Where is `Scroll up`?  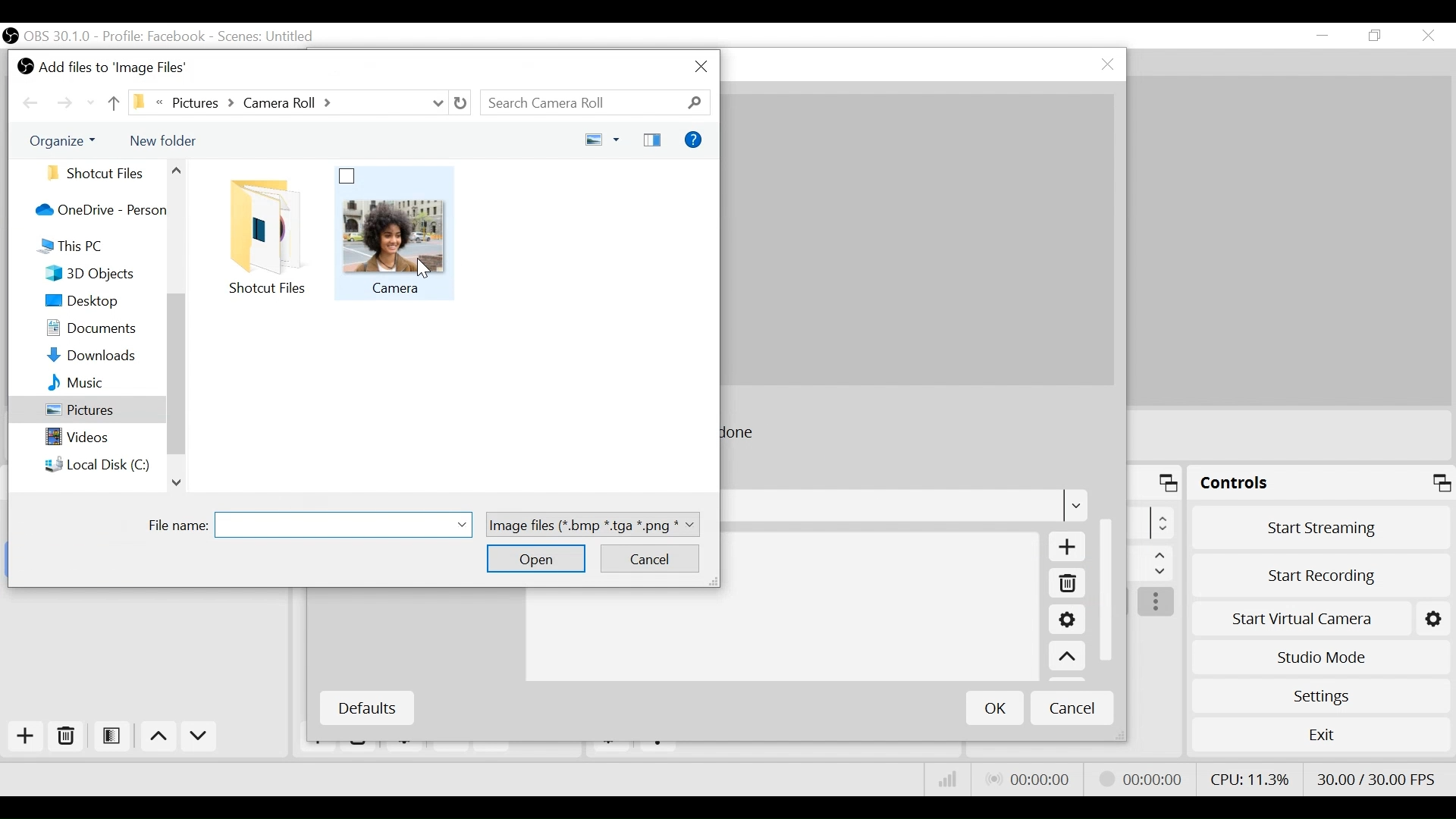
Scroll up is located at coordinates (178, 483).